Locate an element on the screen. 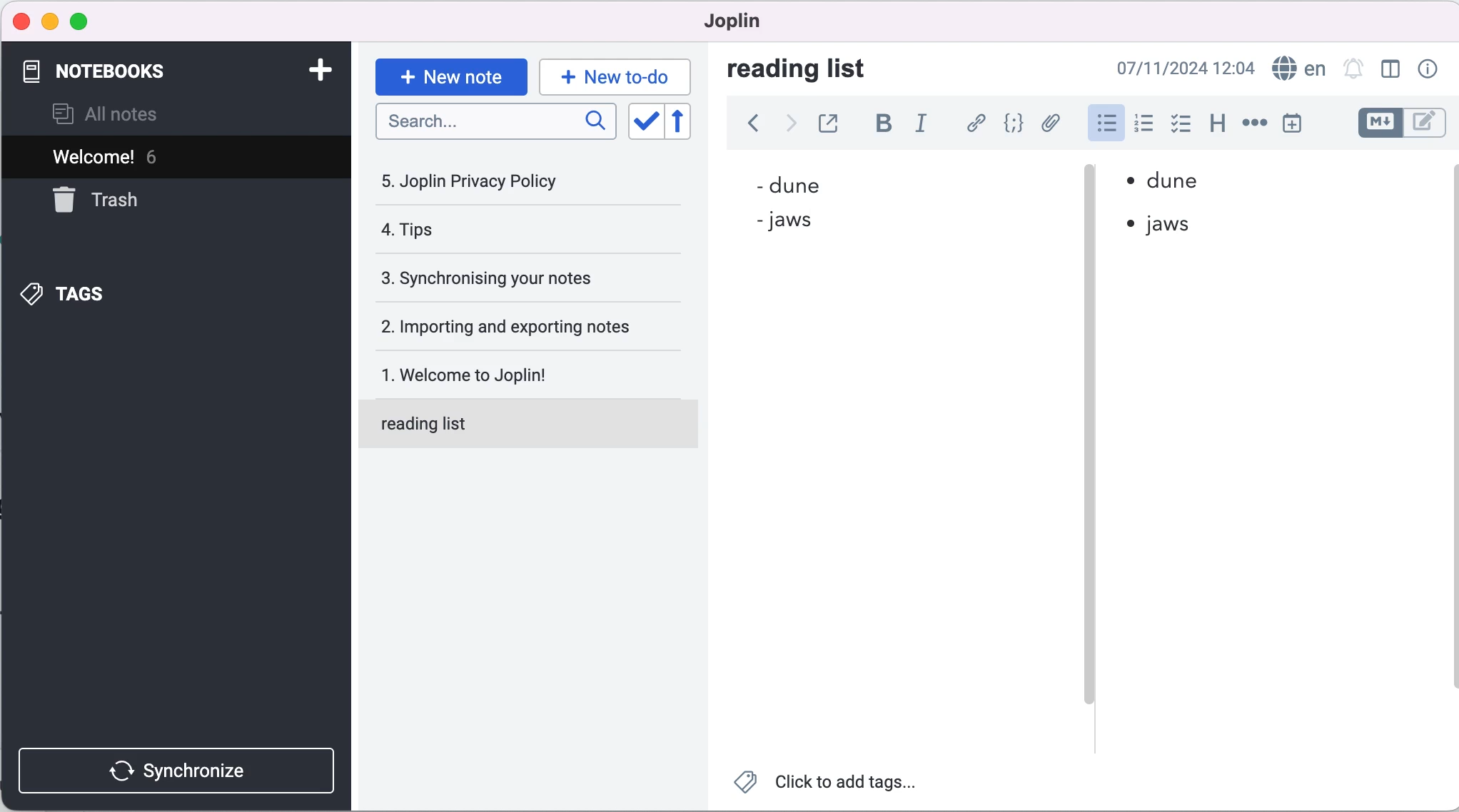 The image size is (1459, 812). toggle editor layout is located at coordinates (1387, 70).